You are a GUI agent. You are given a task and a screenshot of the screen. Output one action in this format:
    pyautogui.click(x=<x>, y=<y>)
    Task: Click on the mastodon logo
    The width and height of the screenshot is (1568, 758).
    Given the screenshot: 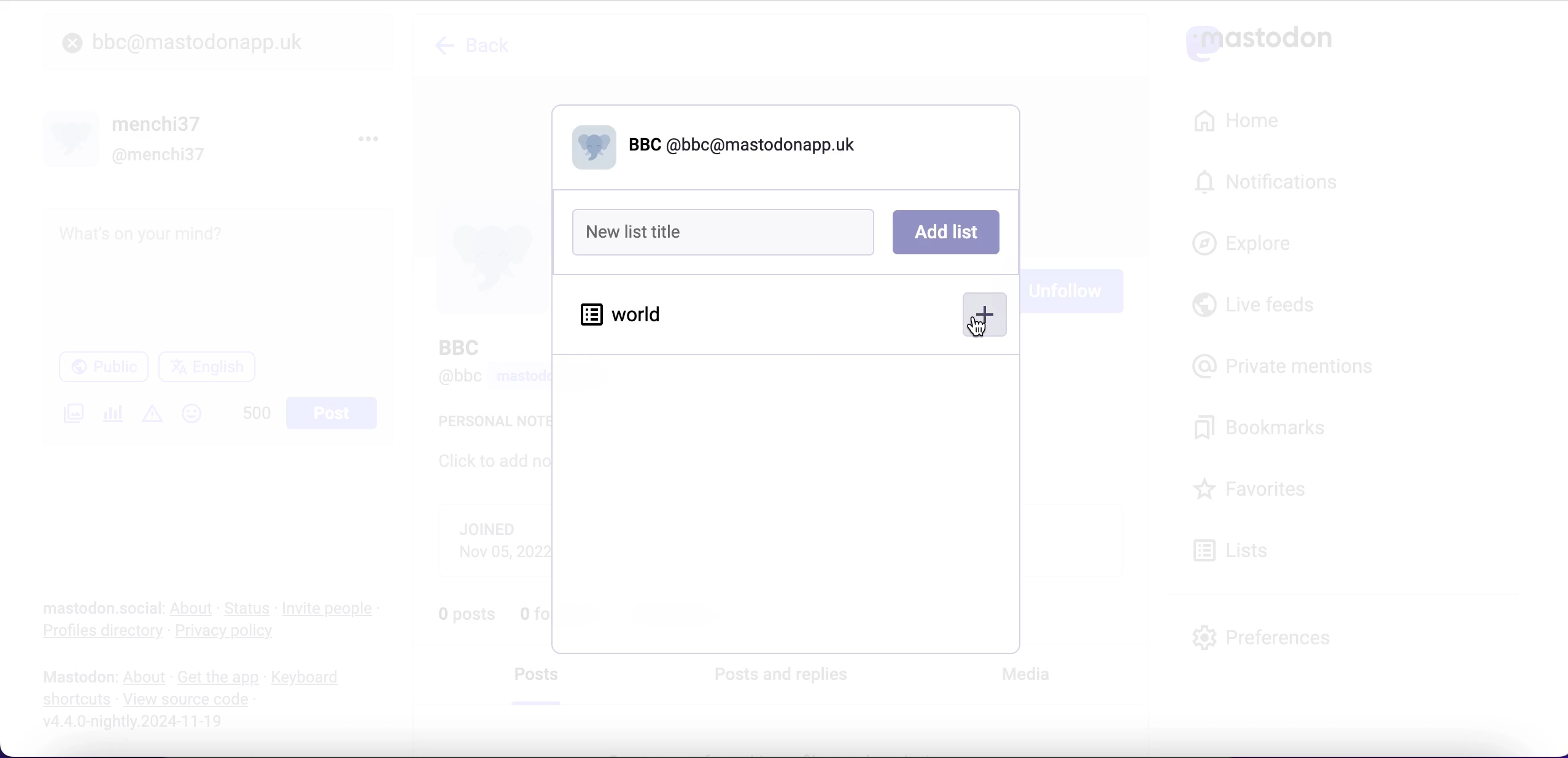 What is the action you would take?
    pyautogui.click(x=1259, y=40)
    